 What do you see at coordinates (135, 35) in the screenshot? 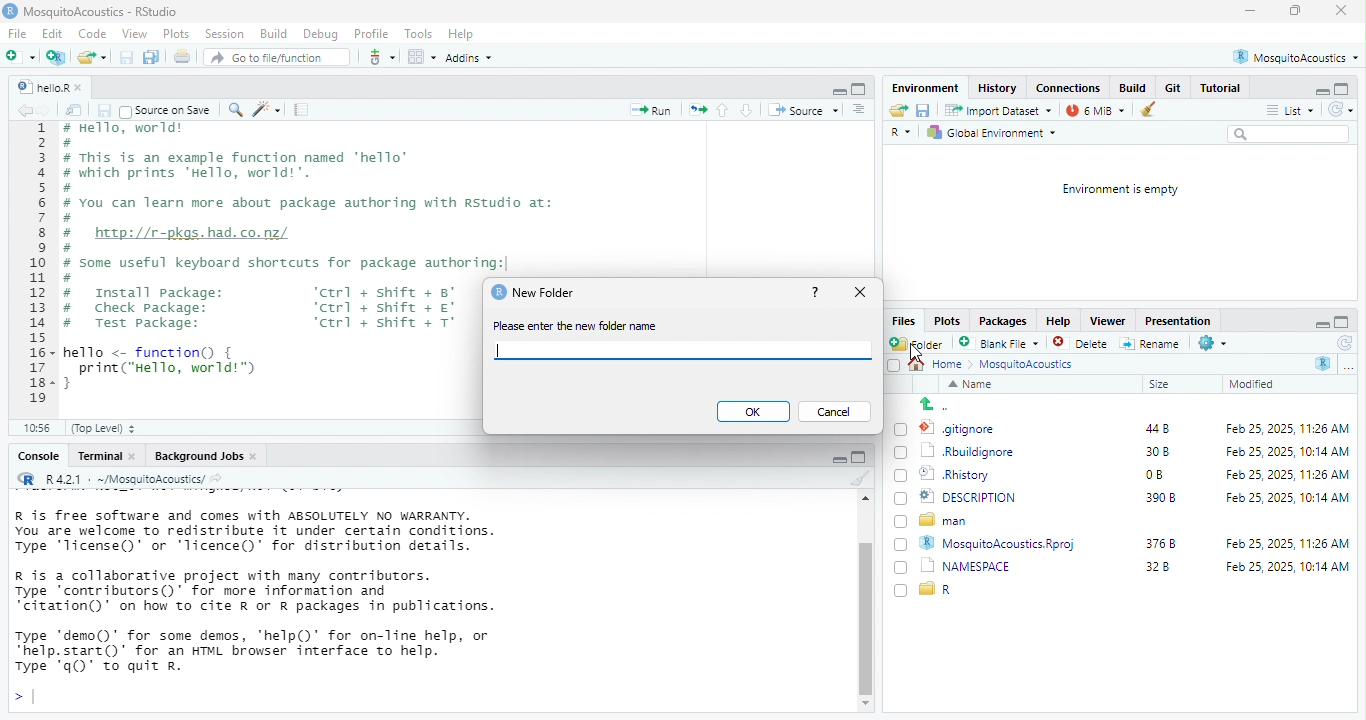
I see `View` at bounding box center [135, 35].